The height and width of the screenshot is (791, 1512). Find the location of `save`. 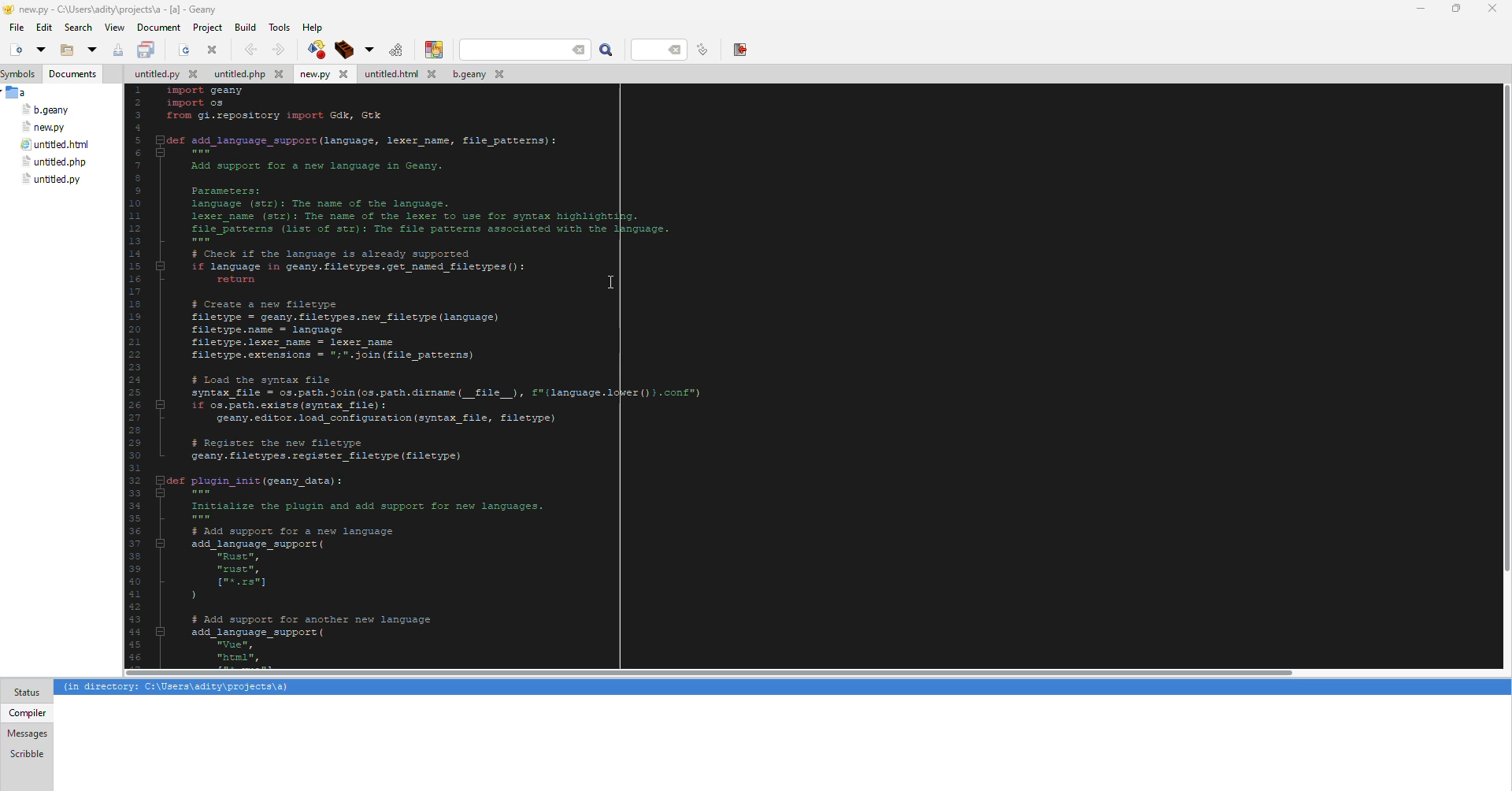

save is located at coordinates (146, 50).